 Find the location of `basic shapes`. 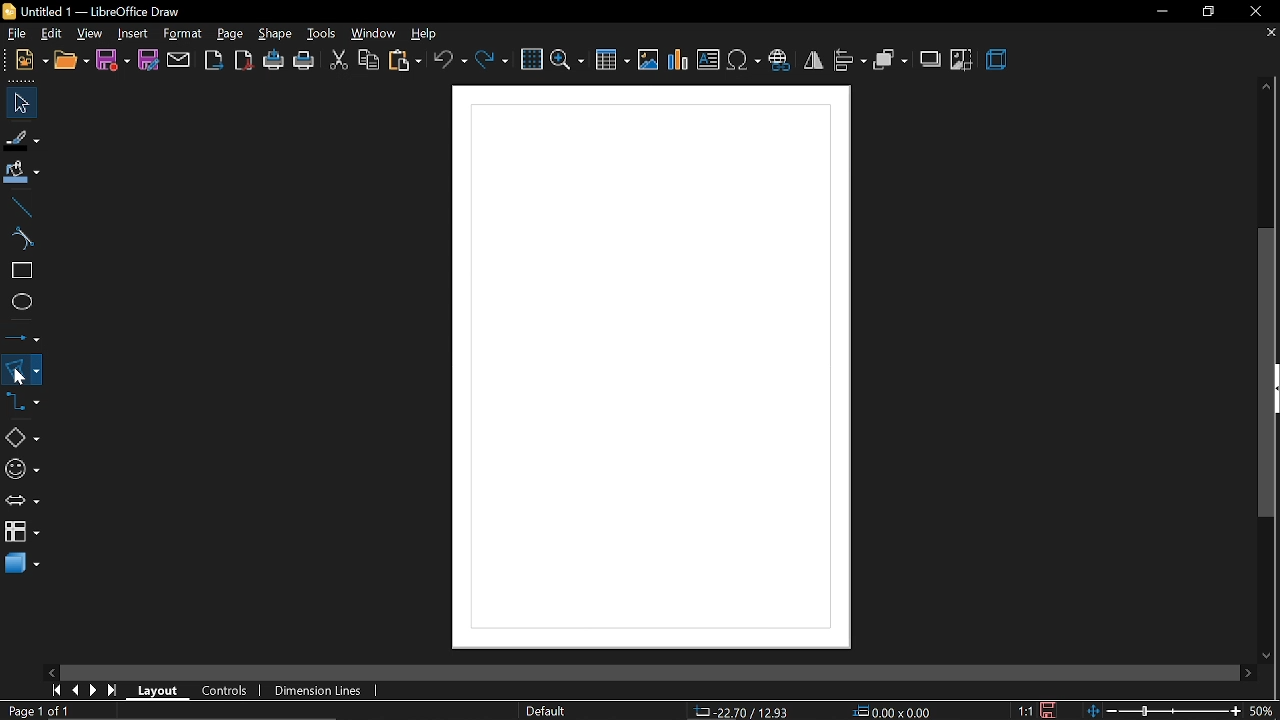

basic shapes is located at coordinates (21, 439).